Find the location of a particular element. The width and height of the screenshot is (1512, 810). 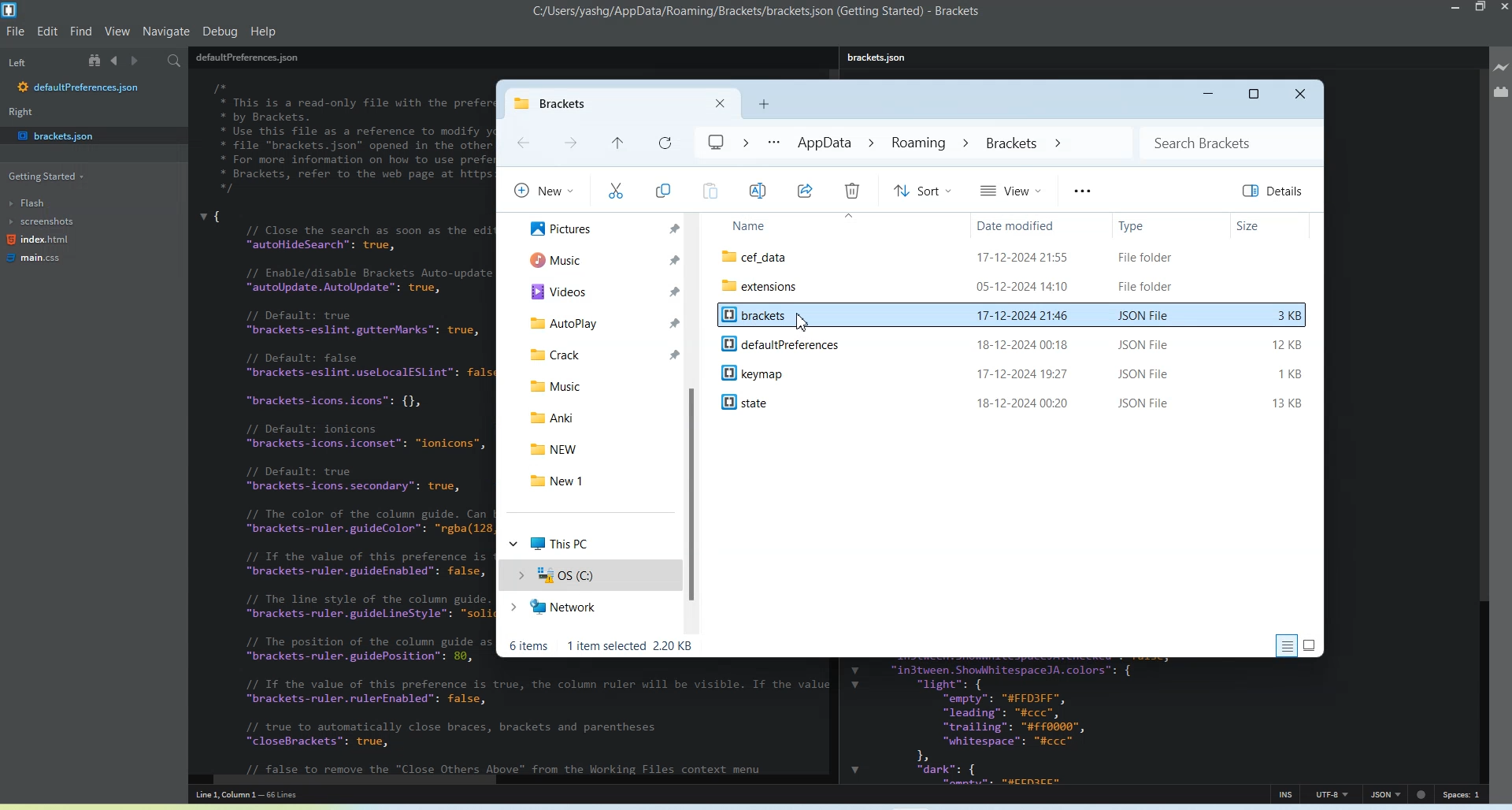

Show in file tree is located at coordinates (97, 61).